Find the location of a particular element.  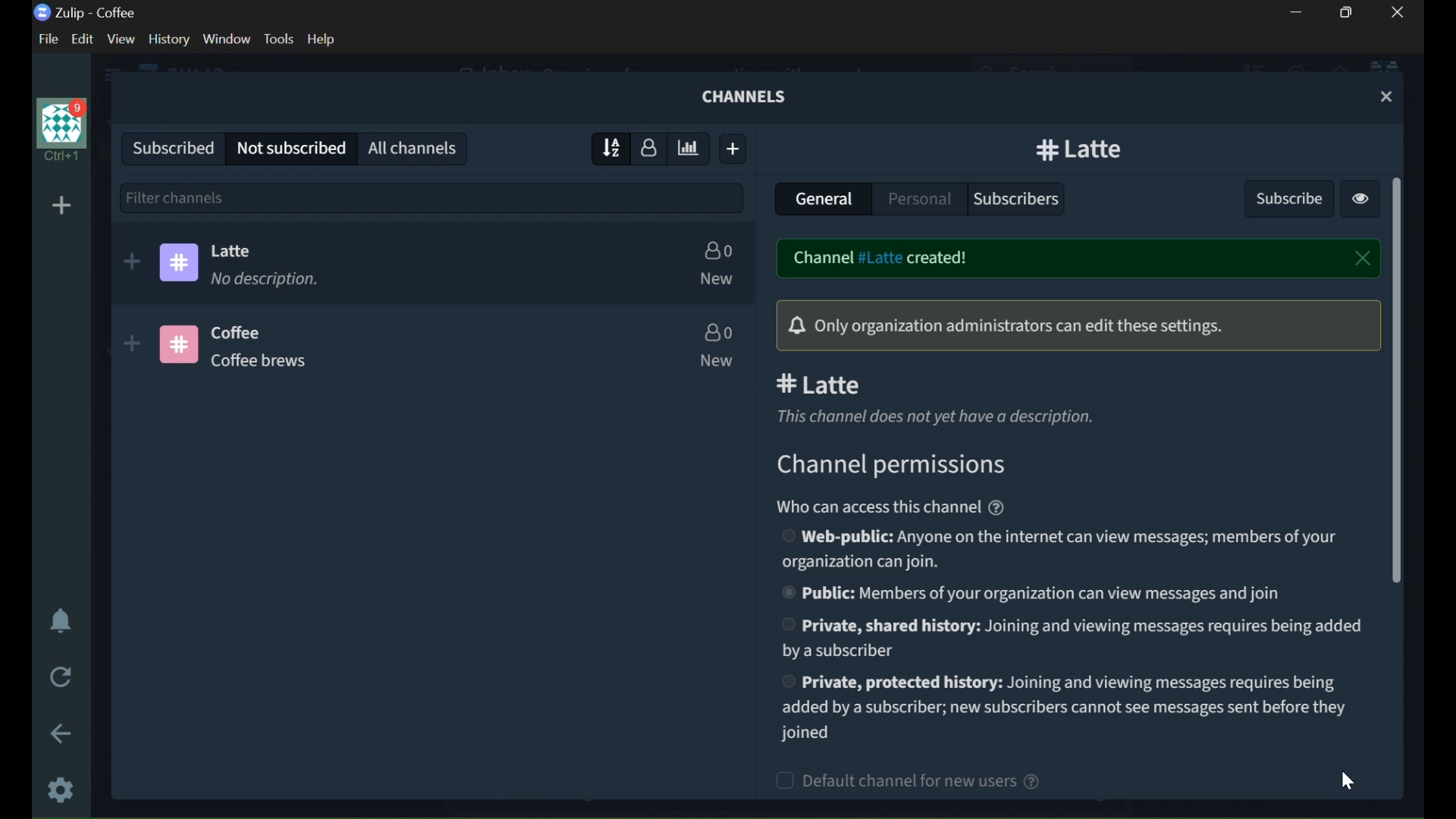

EDIT is located at coordinates (86, 39).